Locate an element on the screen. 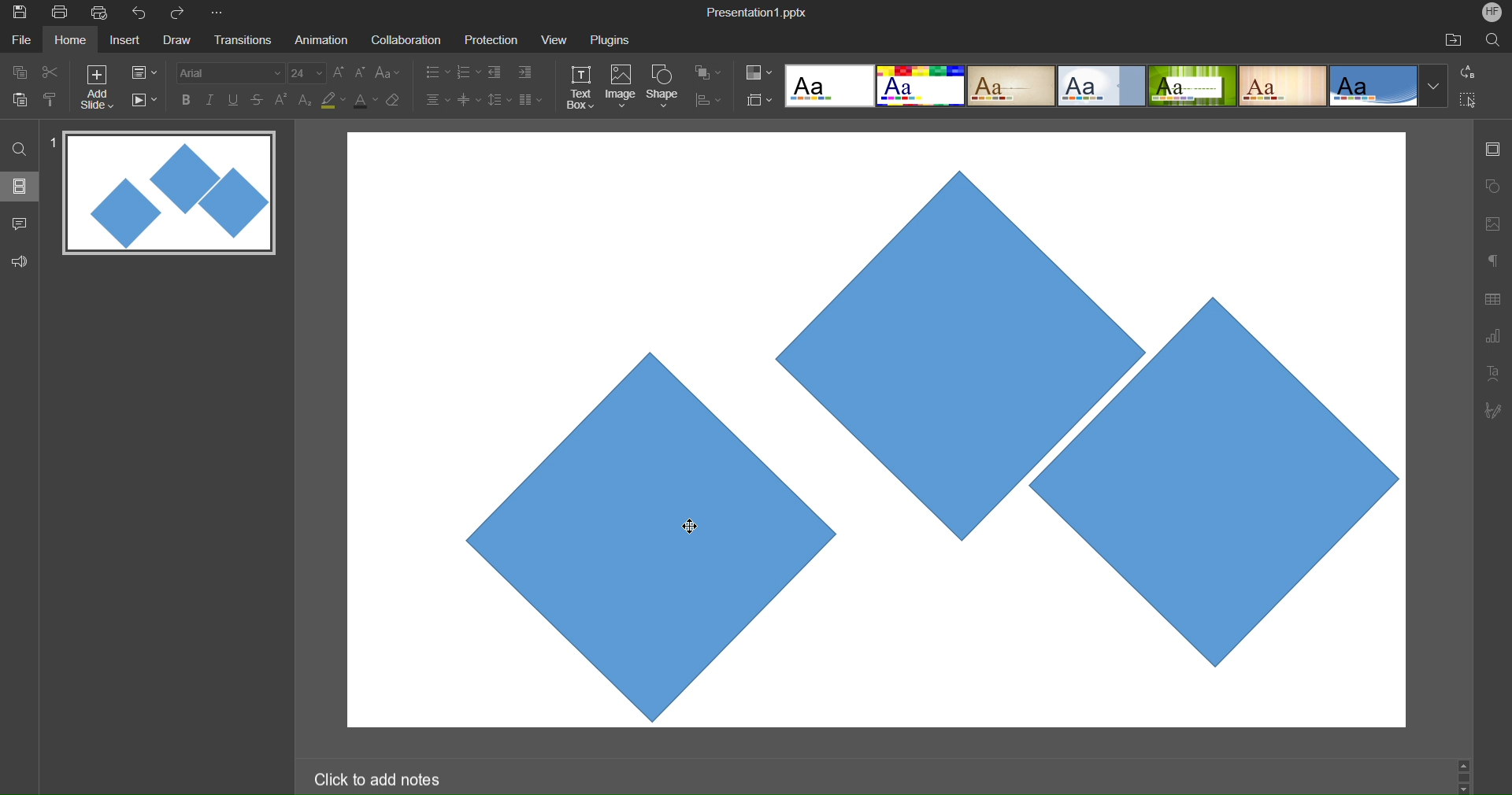 The height and width of the screenshot is (795, 1512). Table is located at coordinates (1493, 298).